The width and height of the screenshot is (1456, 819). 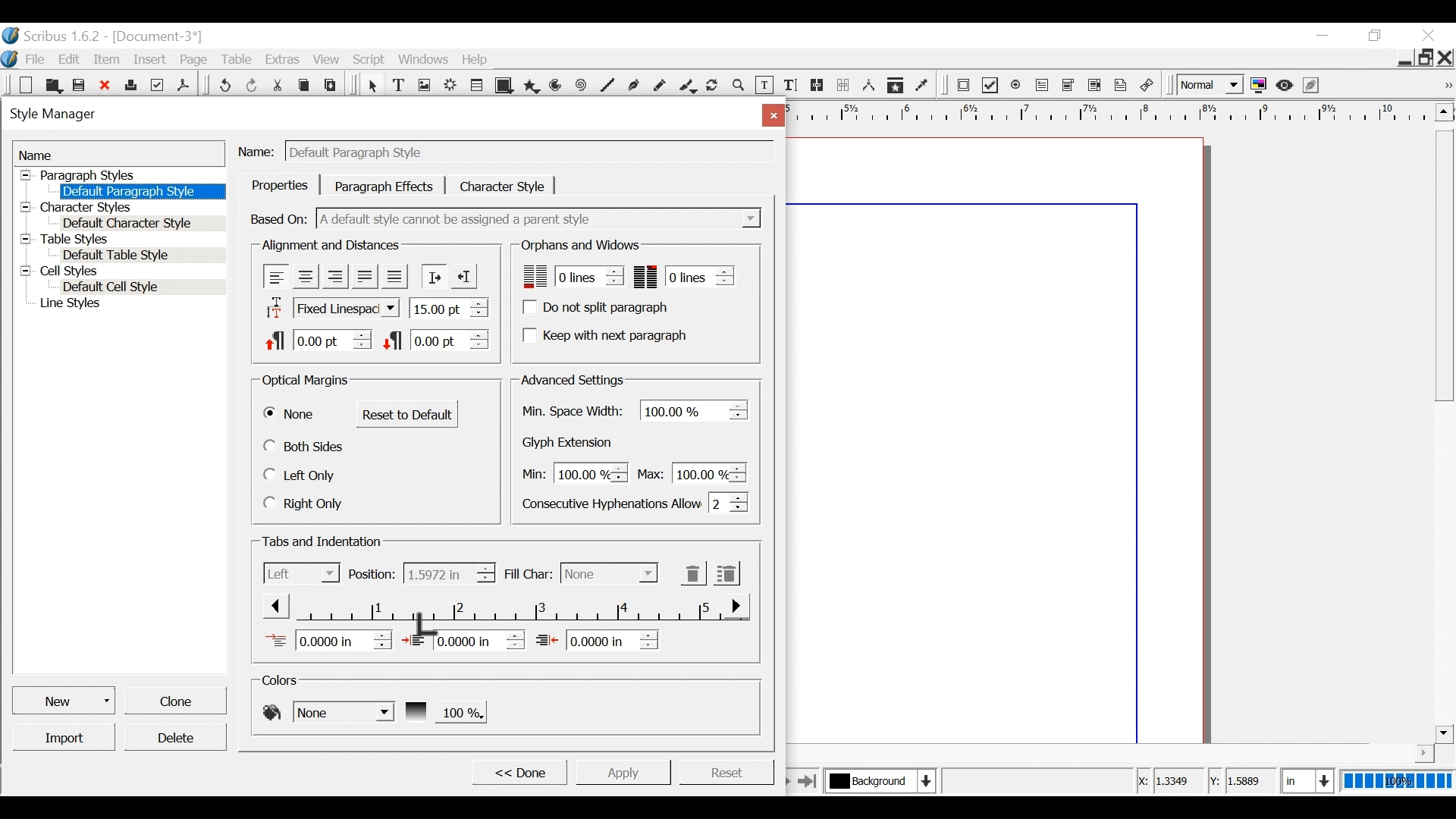 What do you see at coordinates (689, 472) in the screenshot?
I see `Maximum` at bounding box center [689, 472].